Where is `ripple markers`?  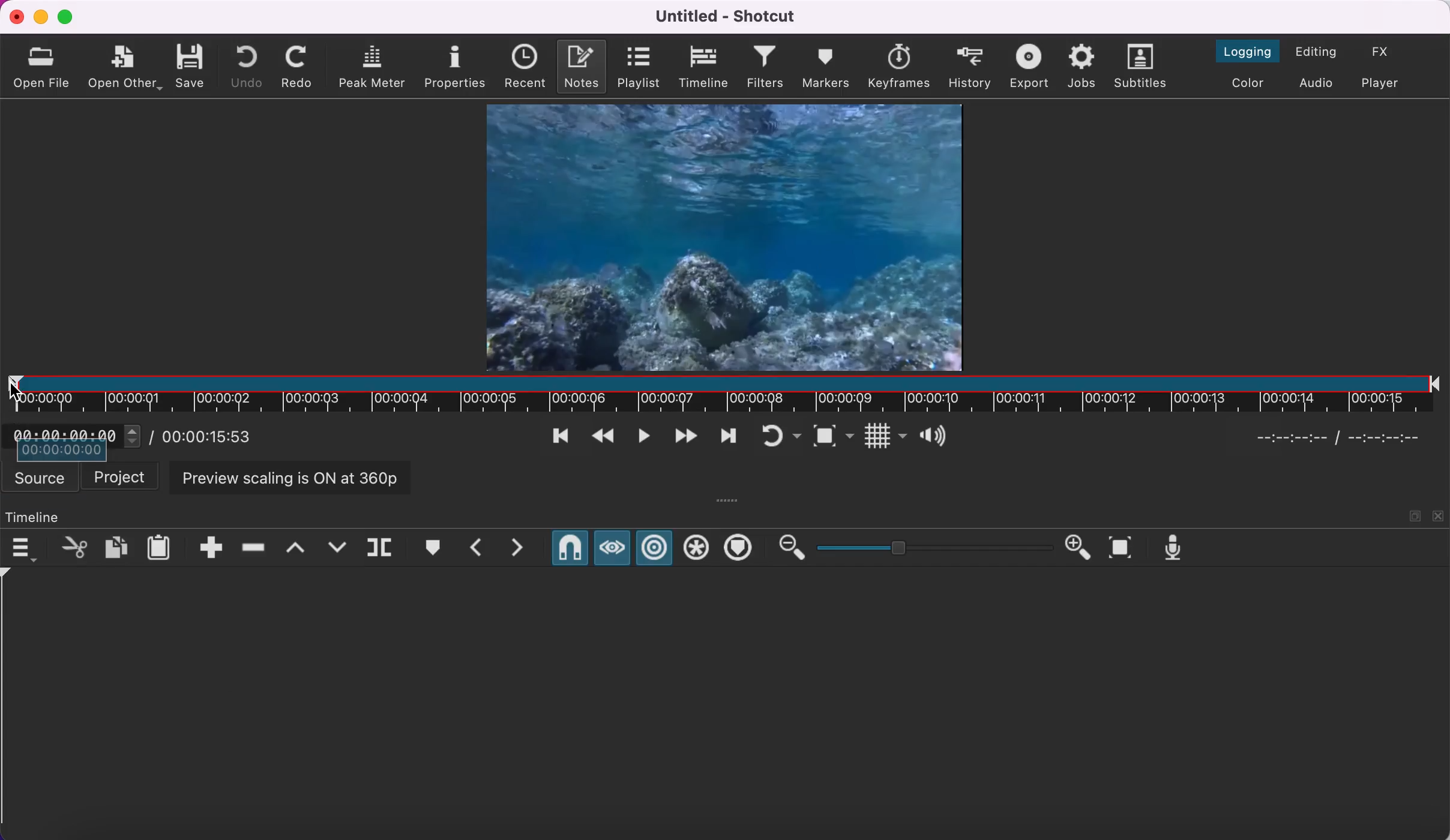 ripple markers is located at coordinates (739, 548).